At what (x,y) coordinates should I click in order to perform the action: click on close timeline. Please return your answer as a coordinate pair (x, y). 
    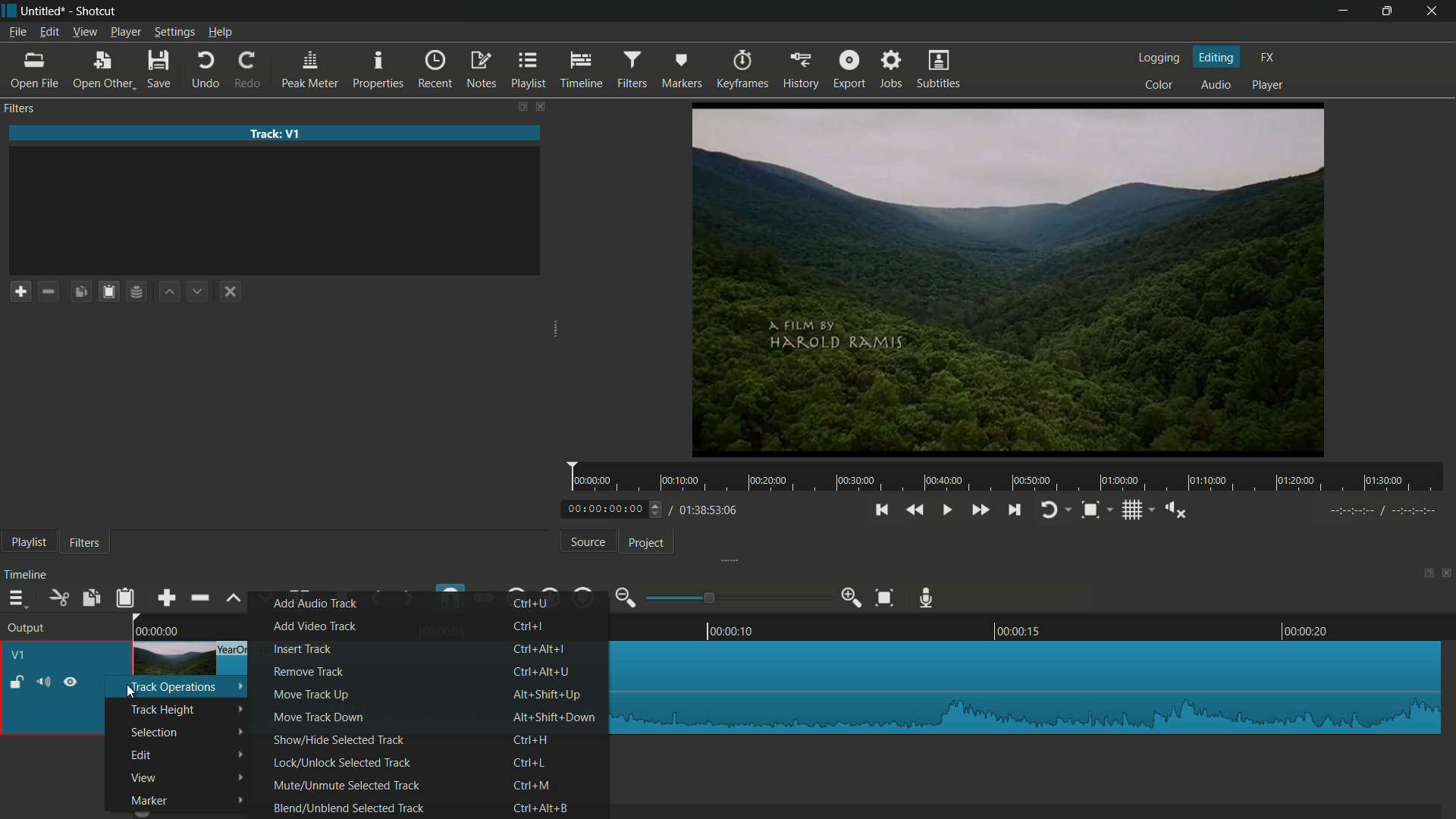
    Looking at the image, I should click on (1447, 576).